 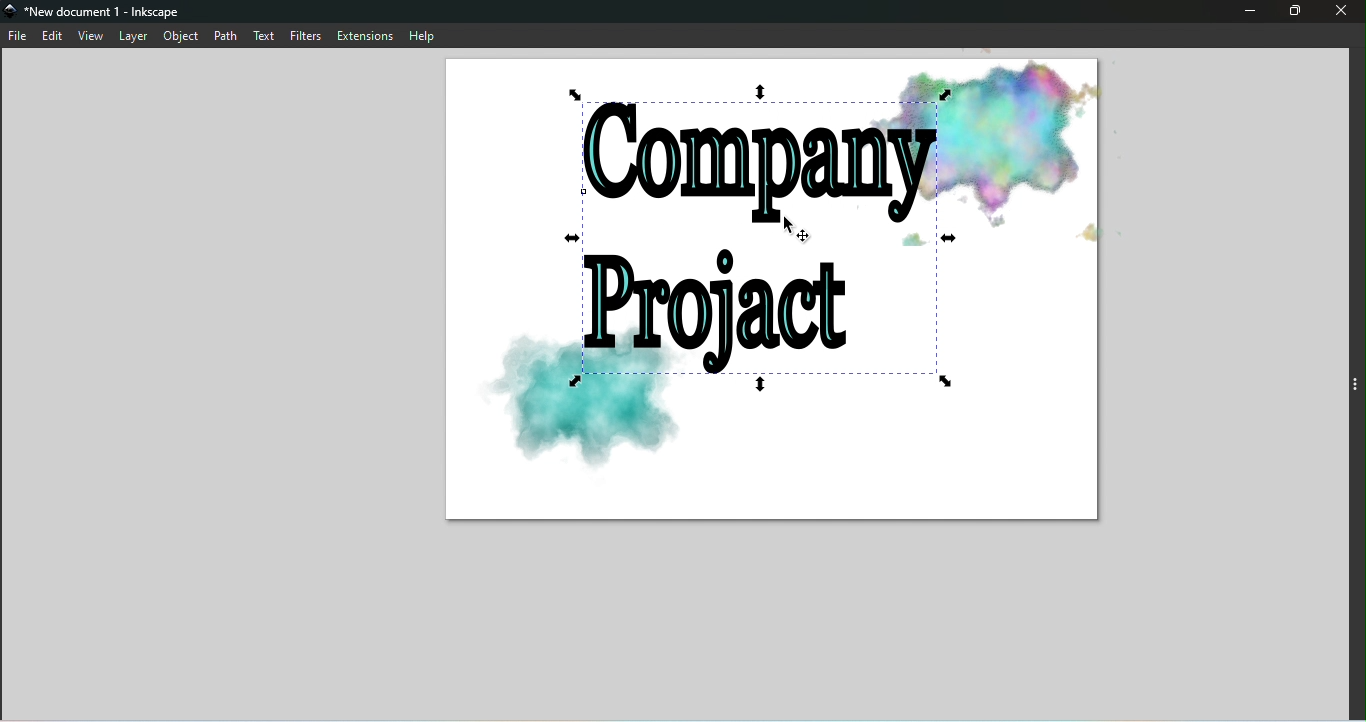 What do you see at coordinates (265, 34) in the screenshot?
I see `Text` at bounding box center [265, 34].